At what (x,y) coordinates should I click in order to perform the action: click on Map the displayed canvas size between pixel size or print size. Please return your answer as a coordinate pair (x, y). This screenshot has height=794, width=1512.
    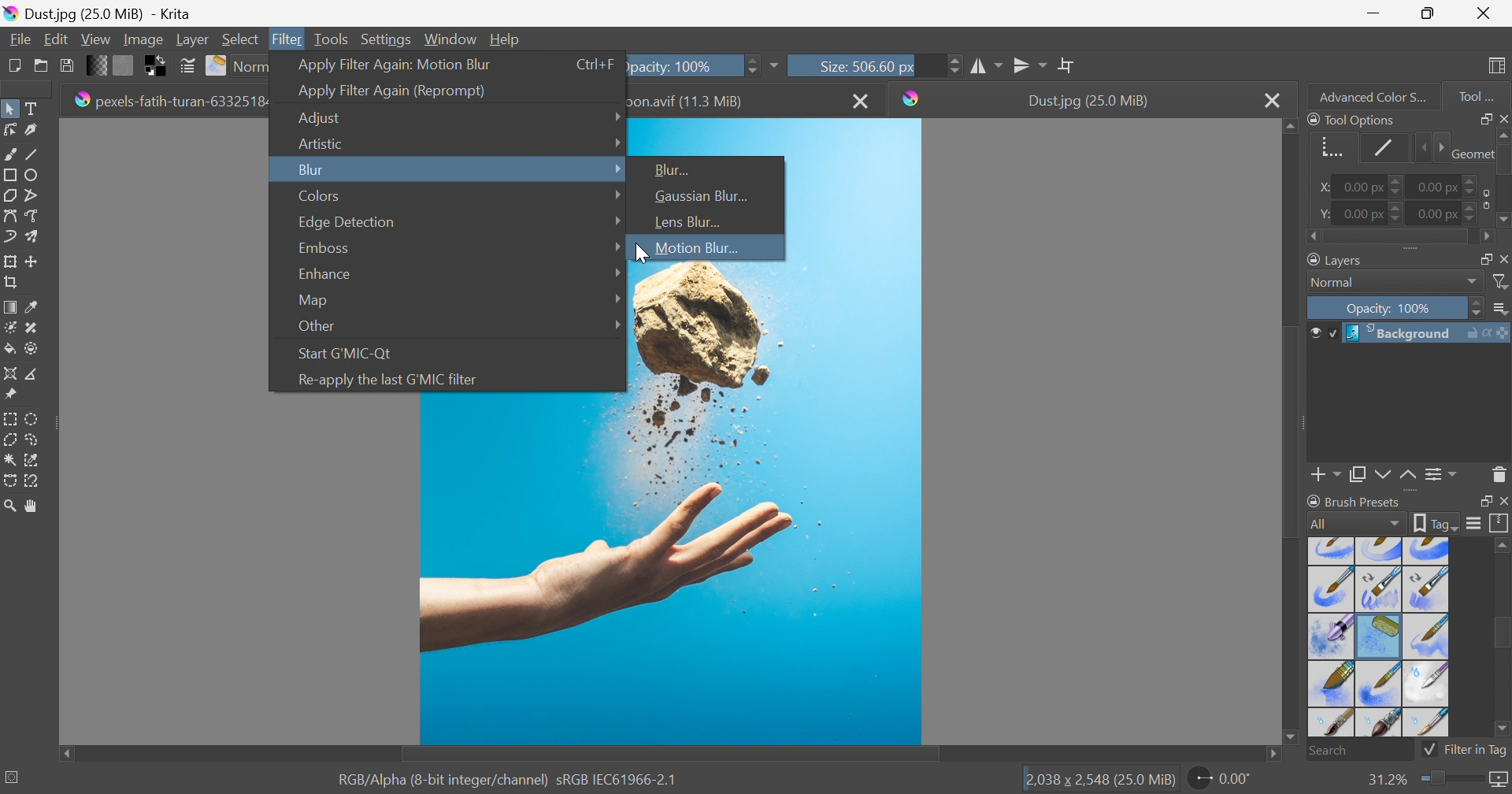
    Looking at the image, I should click on (1498, 781).